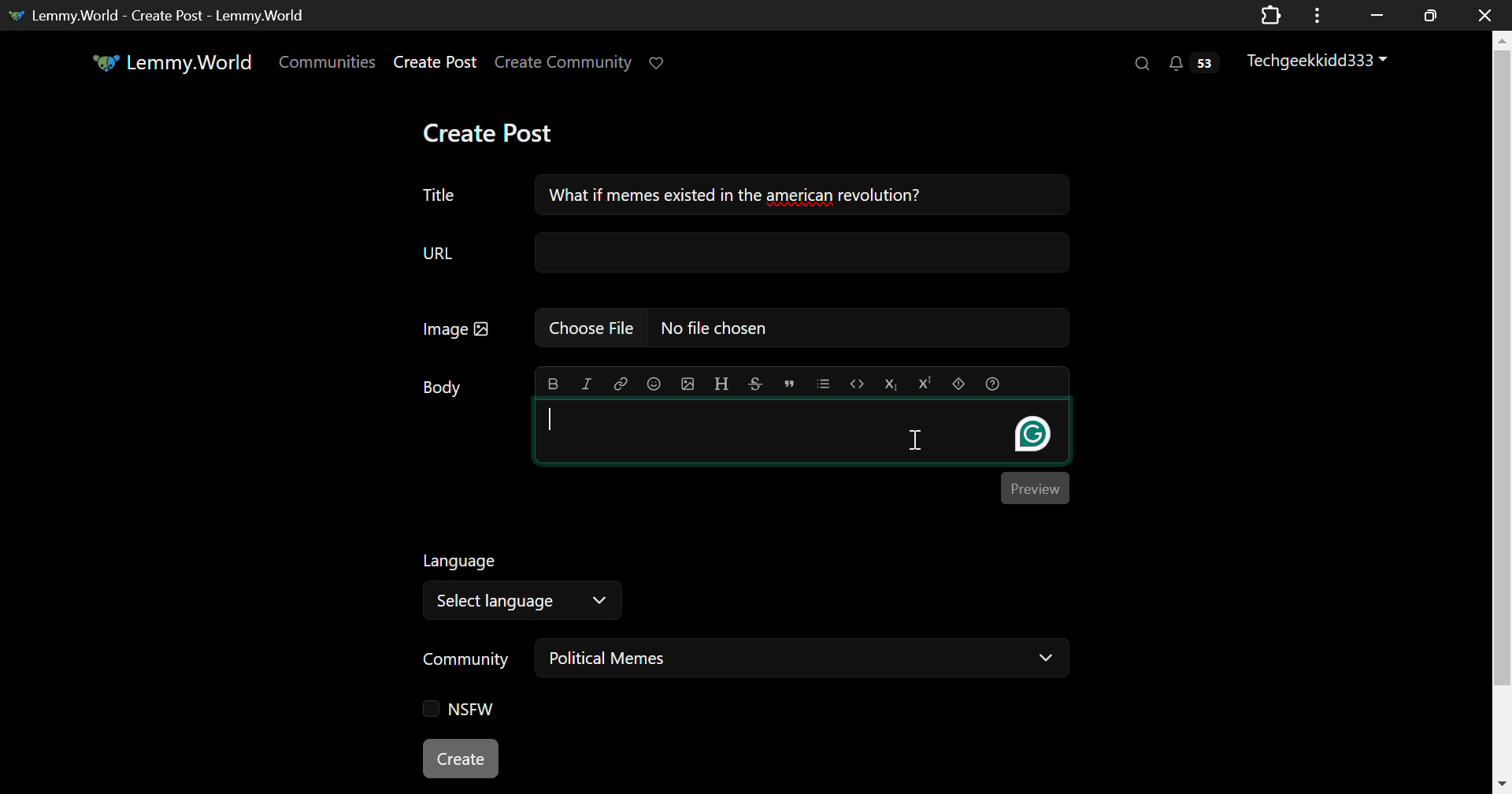 Image resolution: width=1512 pixels, height=794 pixels. I want to click on Insert Image, so click(689, 384).